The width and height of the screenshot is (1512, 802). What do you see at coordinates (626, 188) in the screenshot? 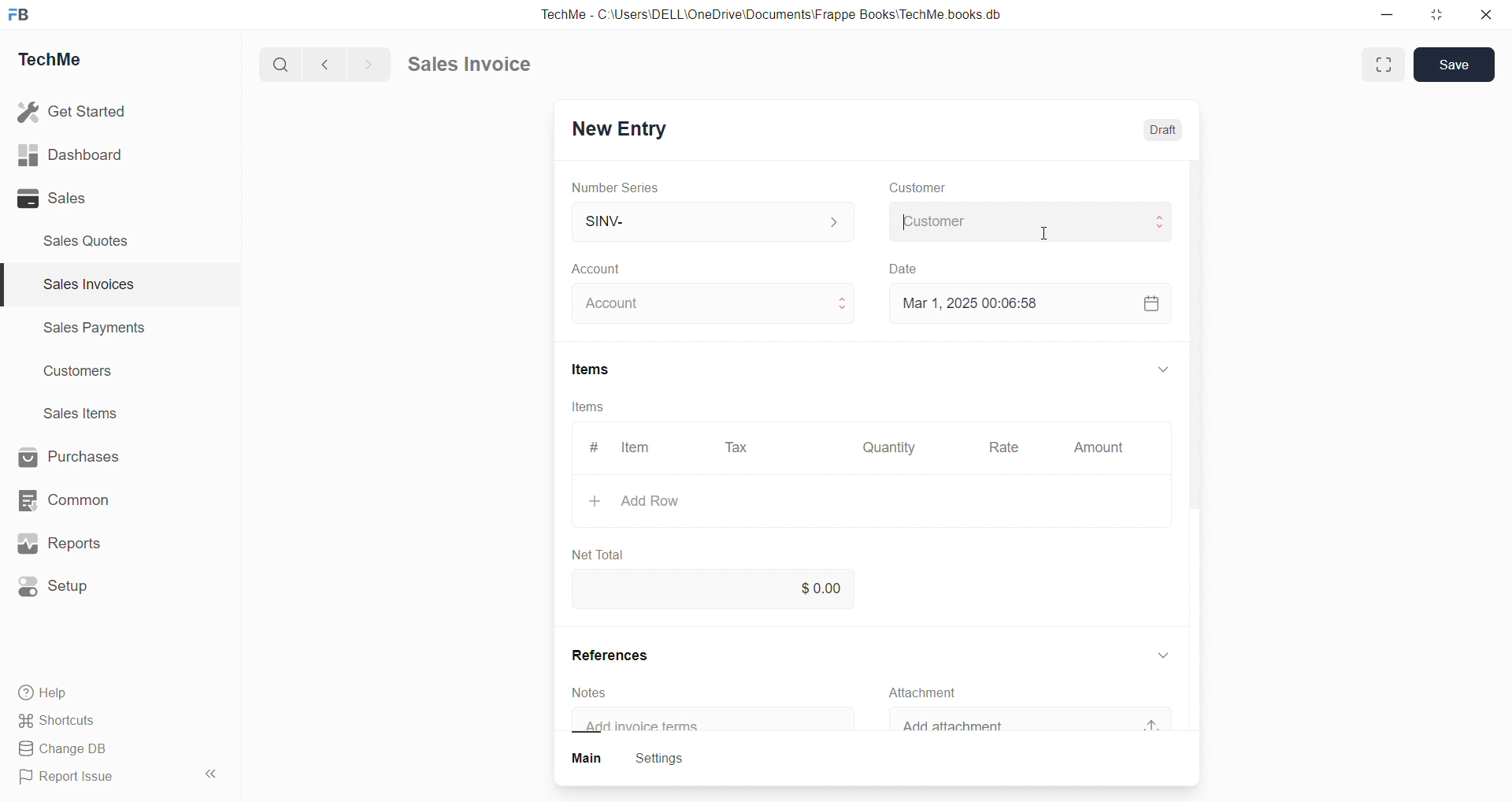
I see `Number Series` at bounding box center [626, 188].